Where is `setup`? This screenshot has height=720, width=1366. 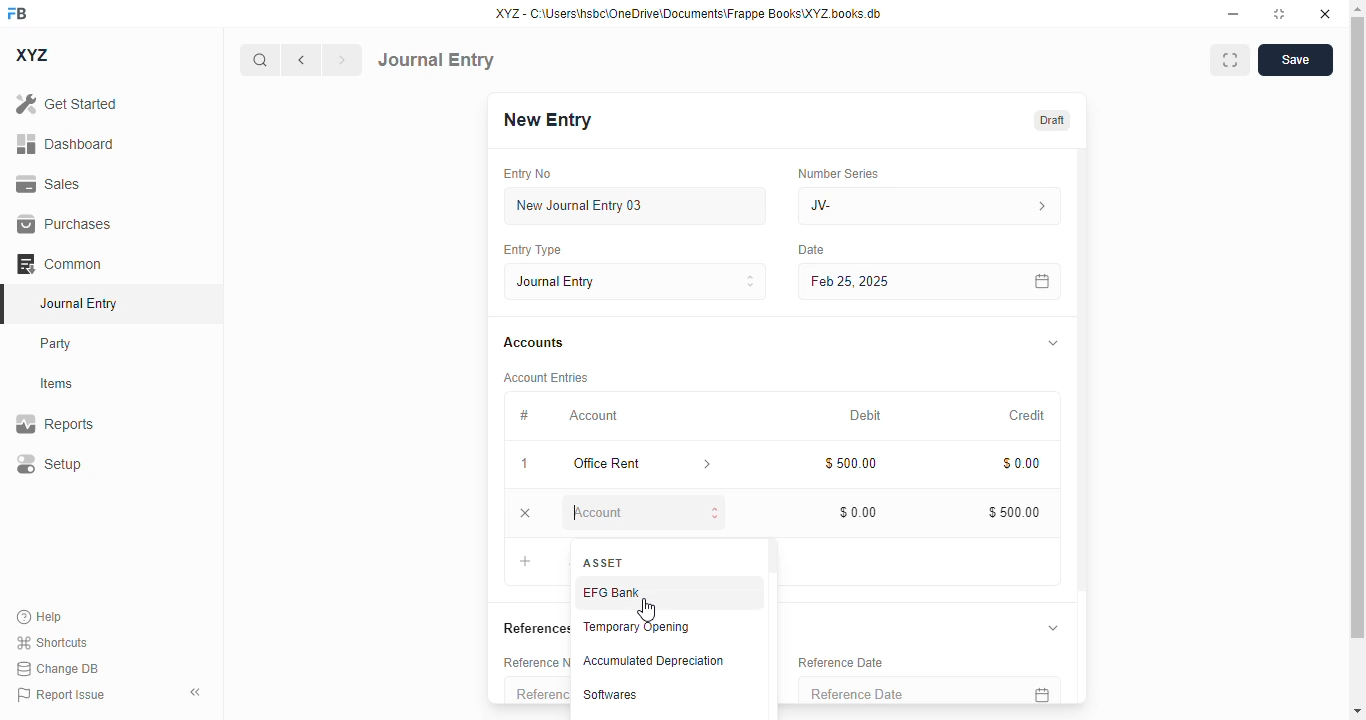 setup is located at coordinates (48, 463).